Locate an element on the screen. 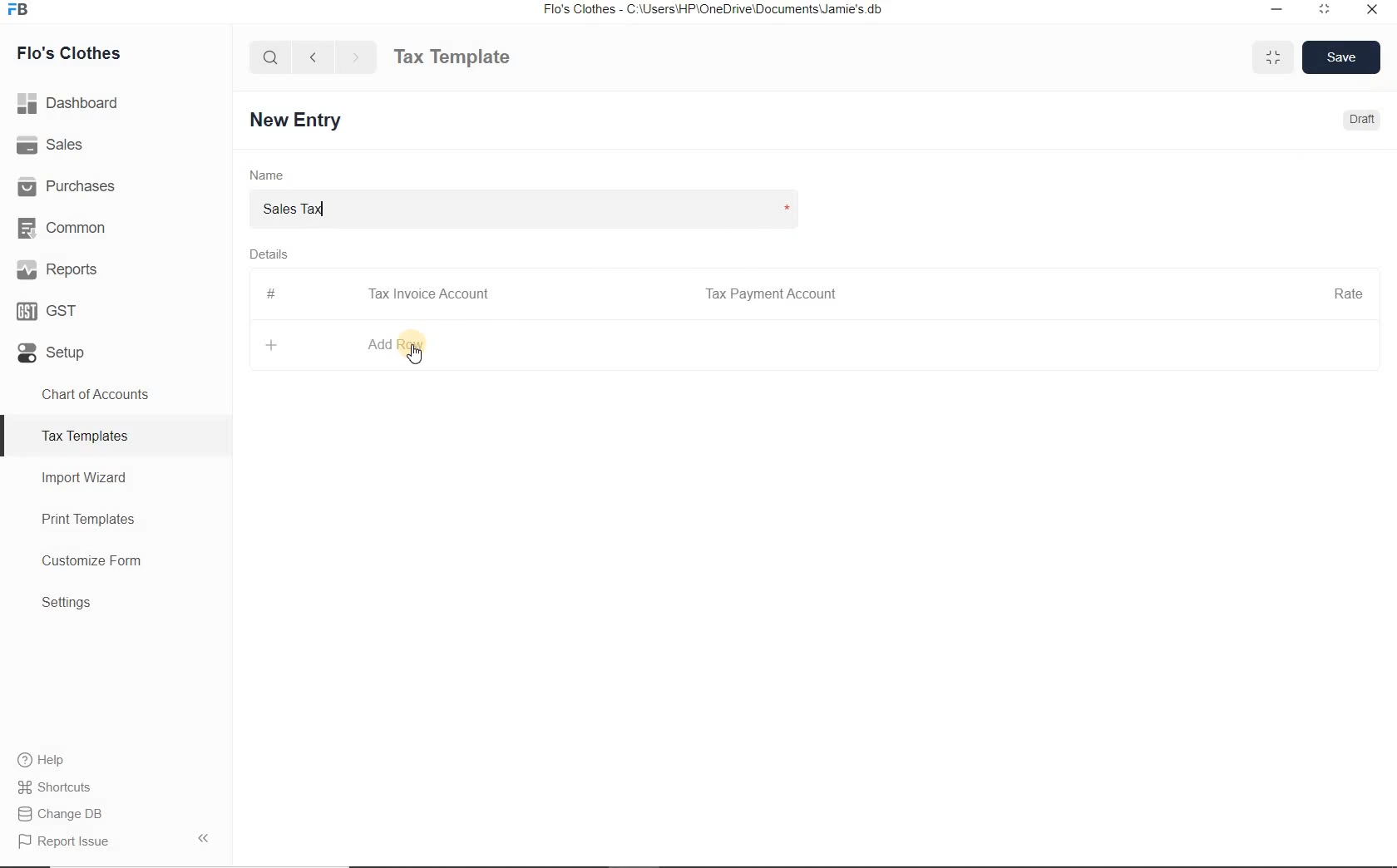 This screenshot has width=1397, height=868. Report Issue is located at coordinates (116, 841).